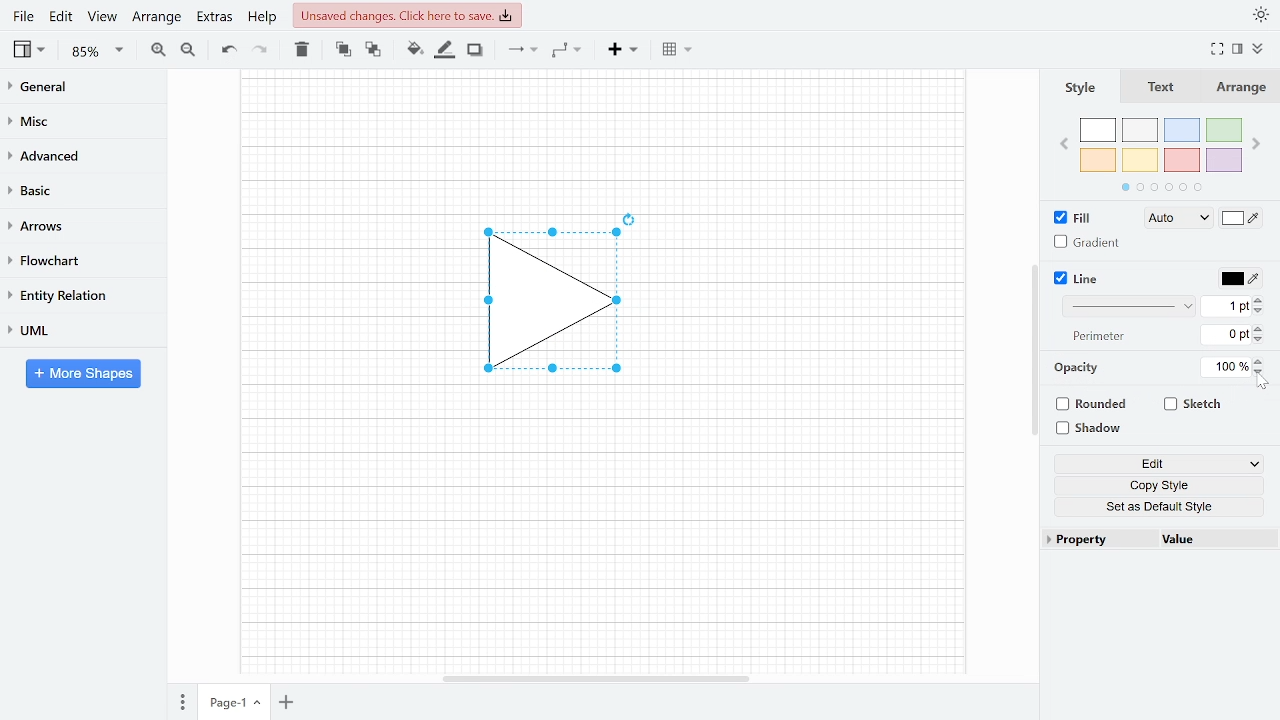 This screenshot has height=720, width=1280. Describe the element at coordinates (1260, 341) in the screenshot. I see `Decrease perimeter` at that location.